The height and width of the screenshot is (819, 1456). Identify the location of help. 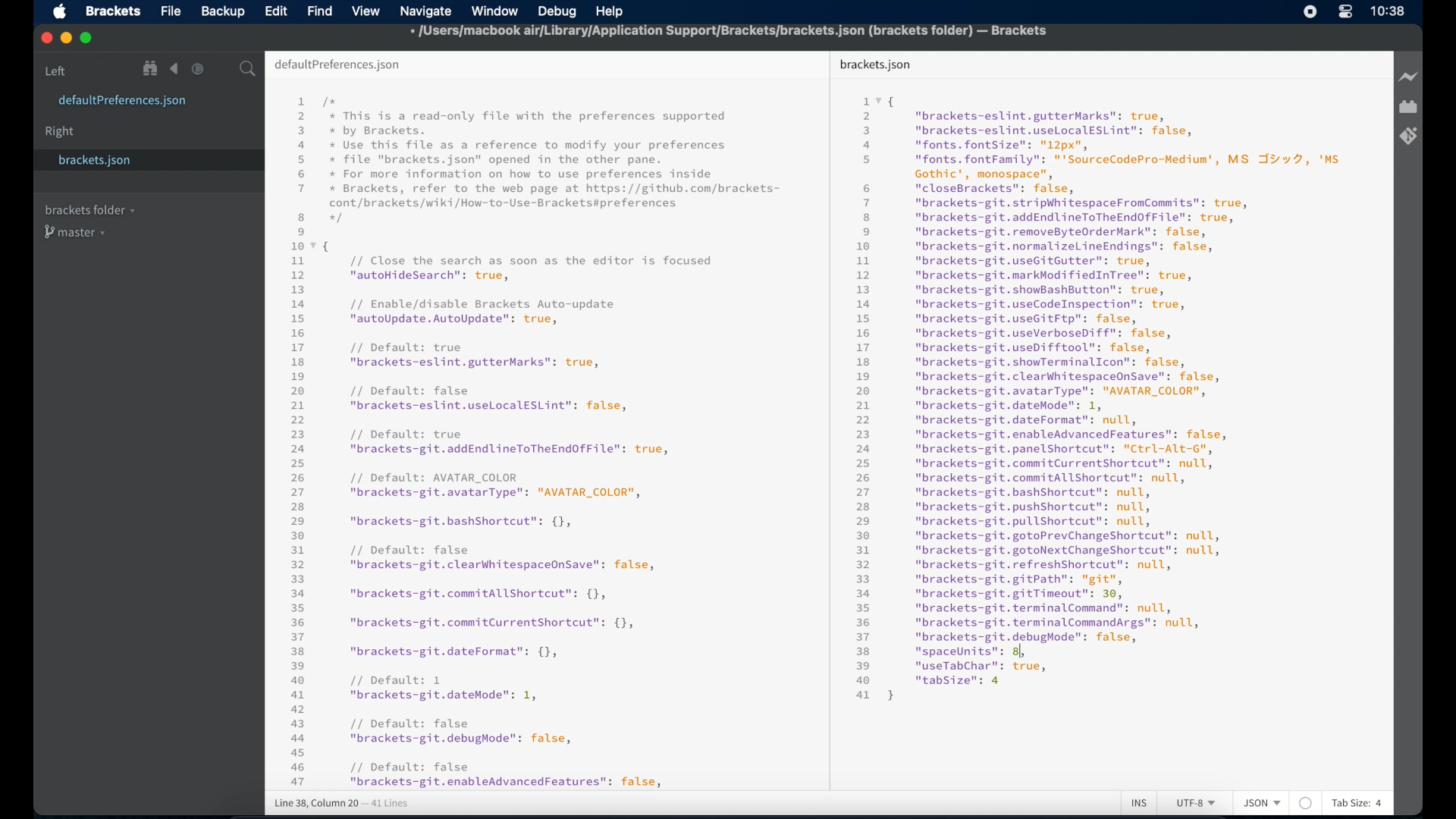
(610, 13).